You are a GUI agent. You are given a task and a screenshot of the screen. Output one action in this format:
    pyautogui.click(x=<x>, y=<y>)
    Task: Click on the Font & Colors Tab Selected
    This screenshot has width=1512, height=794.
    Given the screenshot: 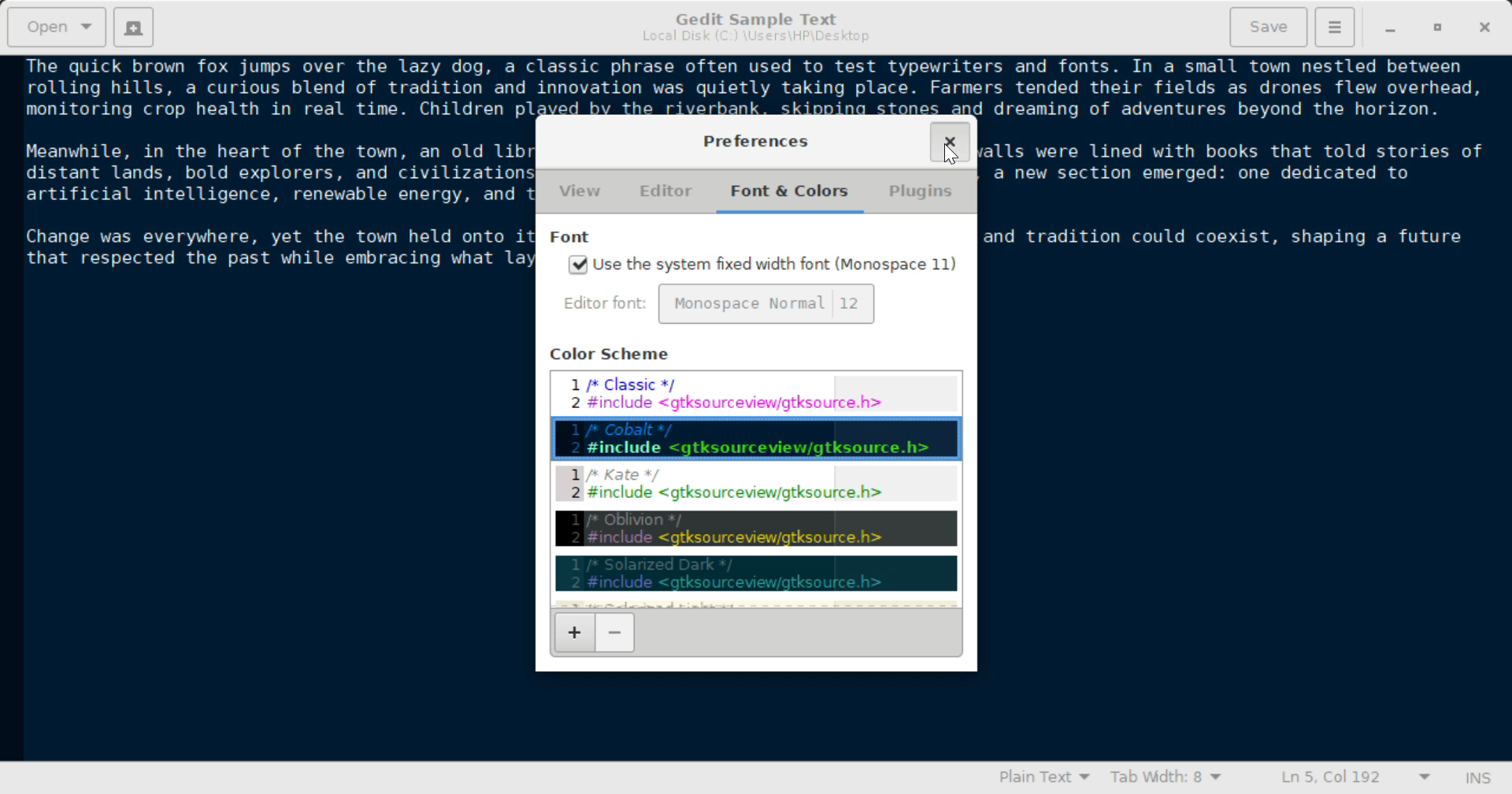 What is the action you would take?
    pyautogui.click(x=793, y=191)
    